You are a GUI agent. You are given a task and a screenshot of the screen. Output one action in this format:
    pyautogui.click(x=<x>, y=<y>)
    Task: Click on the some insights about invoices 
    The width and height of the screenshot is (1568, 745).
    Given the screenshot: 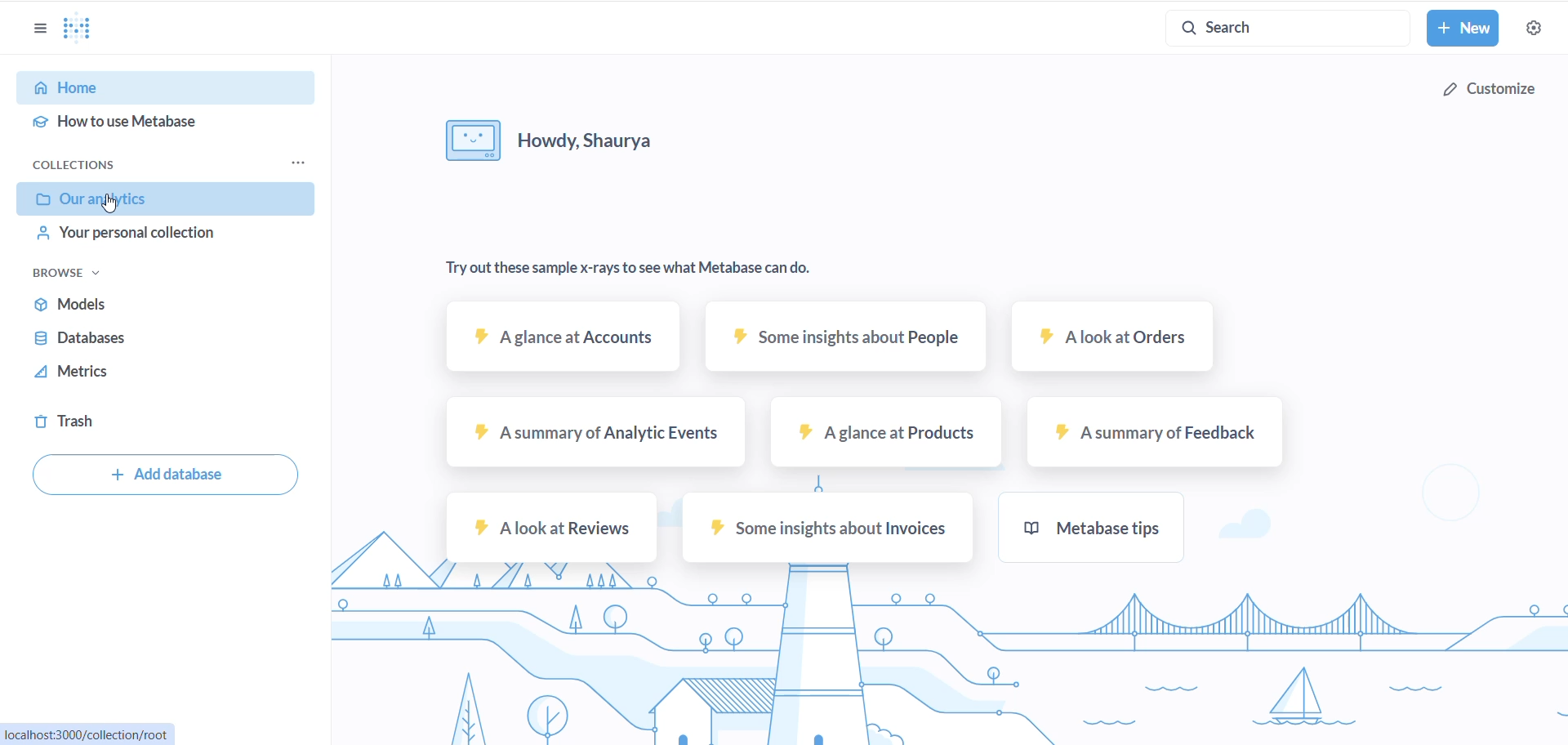 What is the action you would take?
    pyautogui.click(x=821, y=530)
    